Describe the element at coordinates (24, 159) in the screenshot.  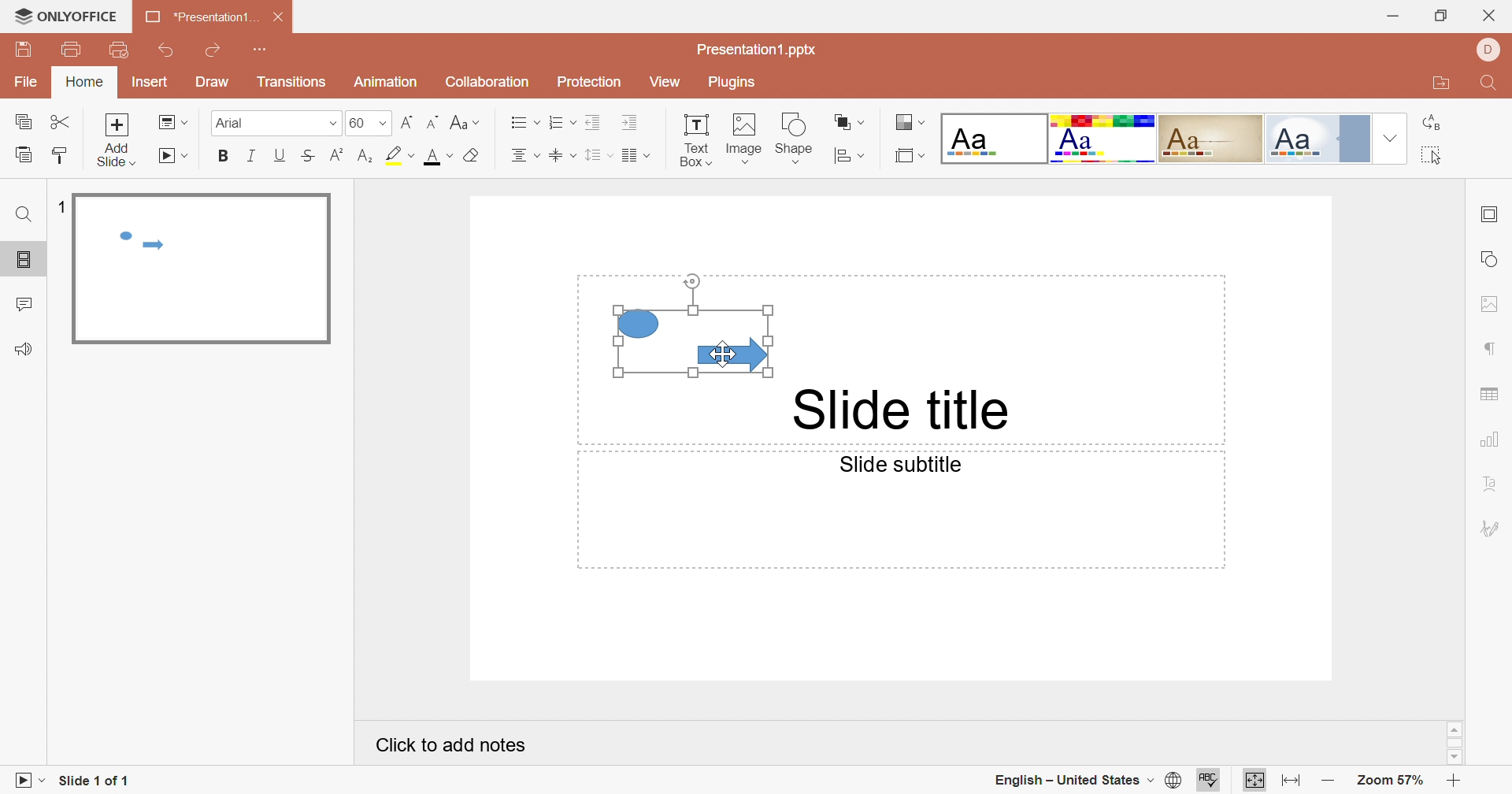
I see `Paste` at that location.